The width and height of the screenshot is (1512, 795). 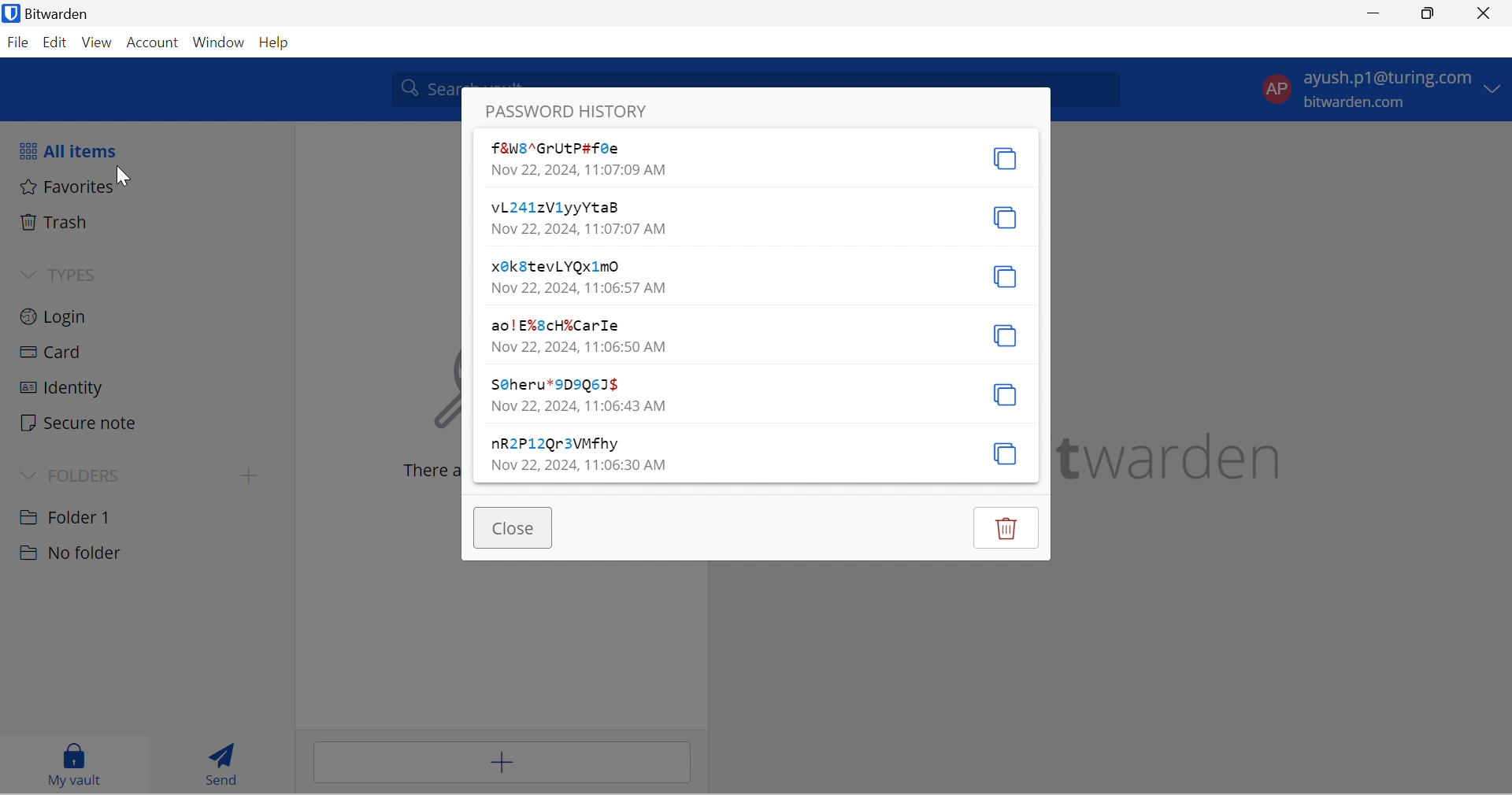 I want to click on x0k8tevLYQx1mO, so click(x=555, y=267).